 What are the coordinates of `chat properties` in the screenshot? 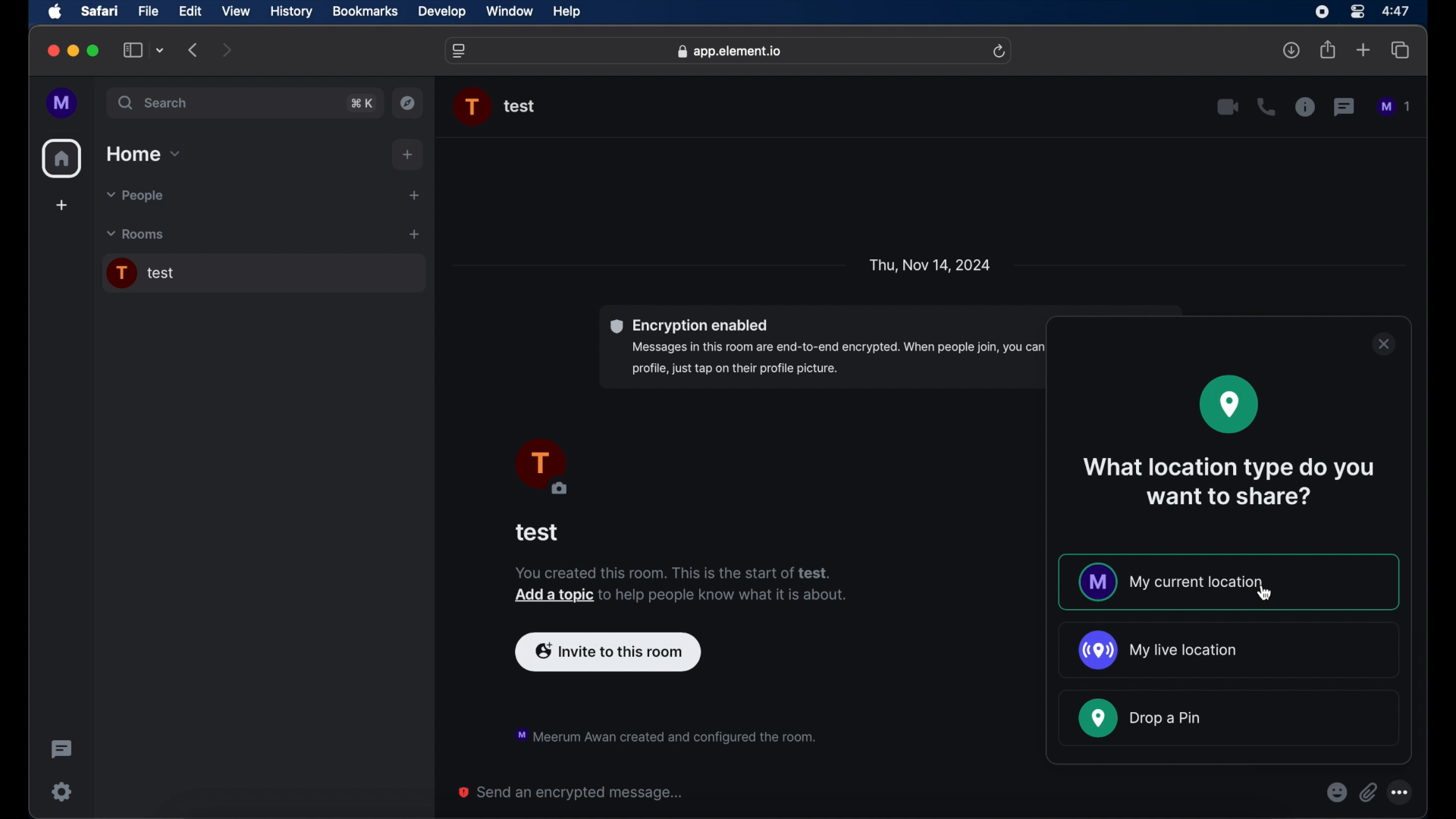 It's located at (1305, 108).